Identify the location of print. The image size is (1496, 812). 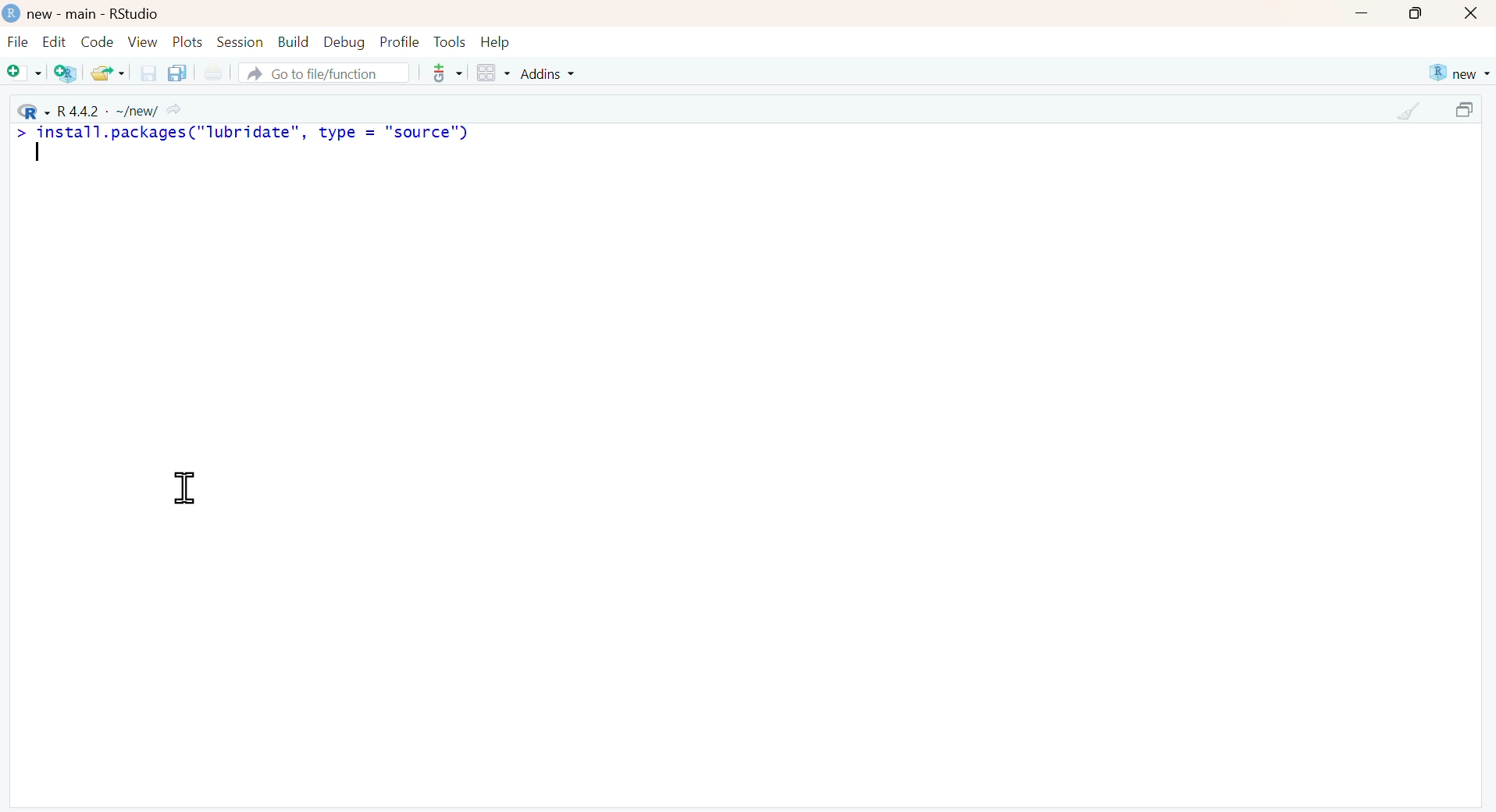
(212, 73).